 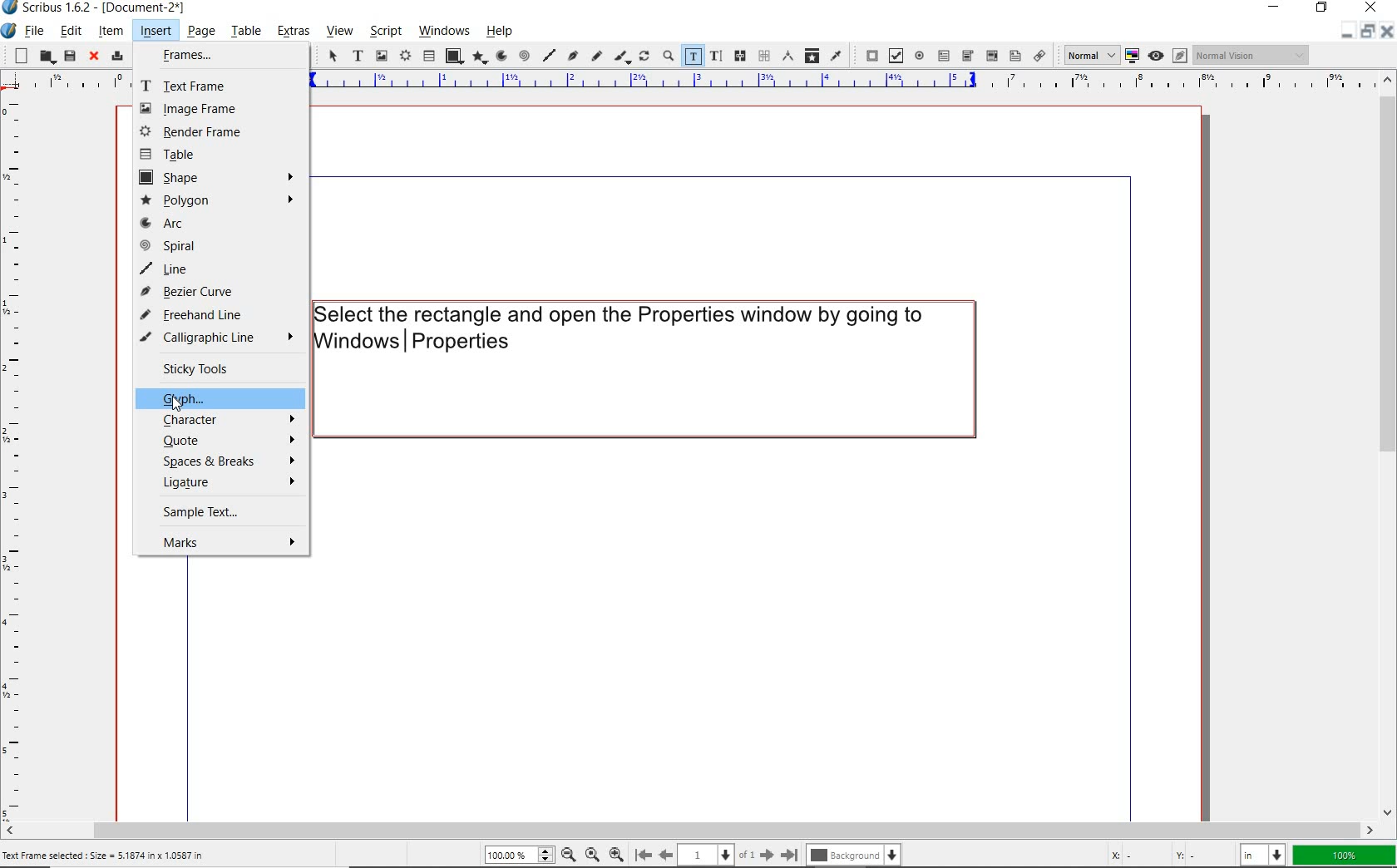 What do you see at coordinates (116, 56) in the screenshot?
I see `print` at bounding box center [116, 56].